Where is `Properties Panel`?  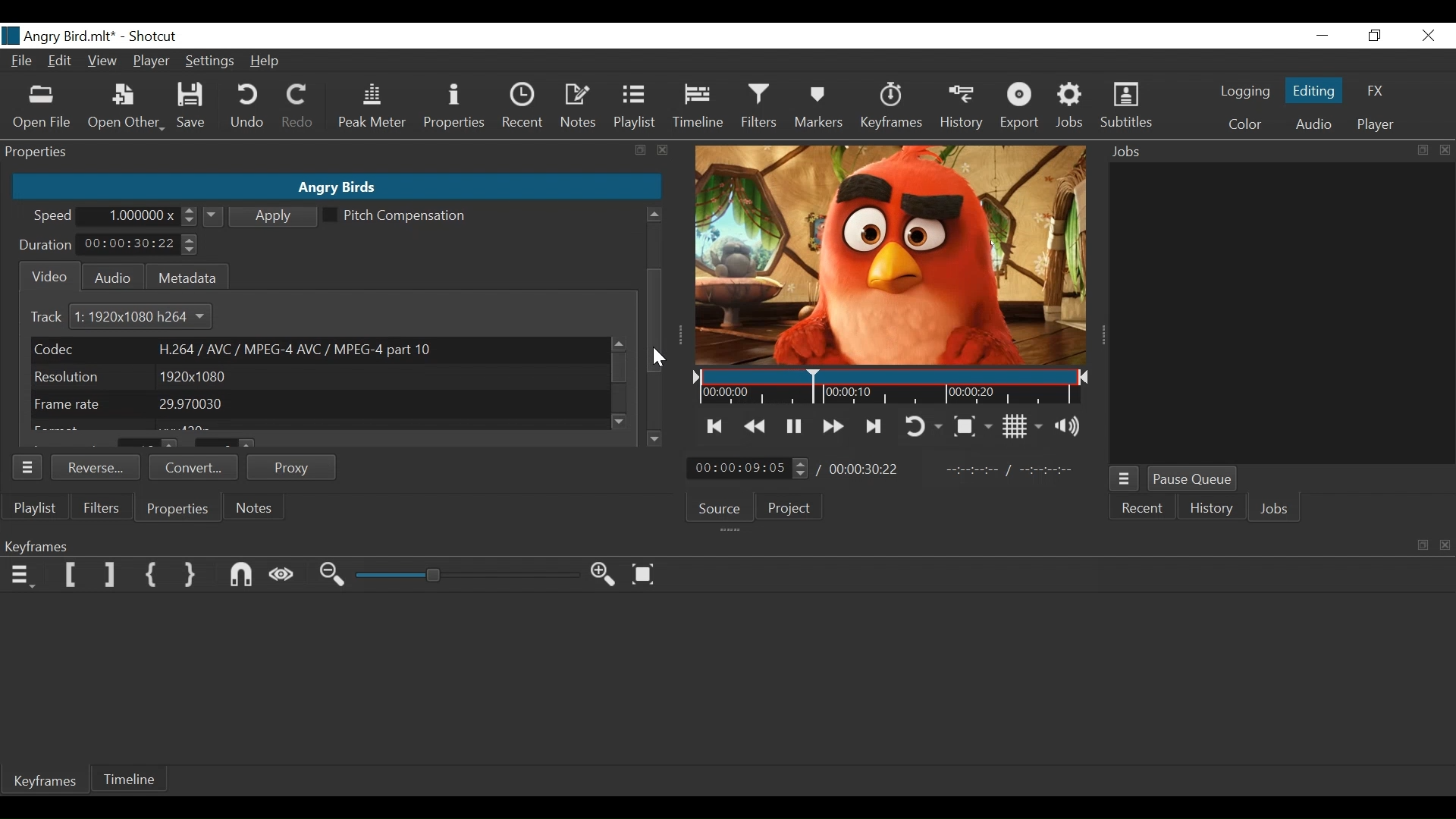
Properties Panel is located at coordinates (337, 152).